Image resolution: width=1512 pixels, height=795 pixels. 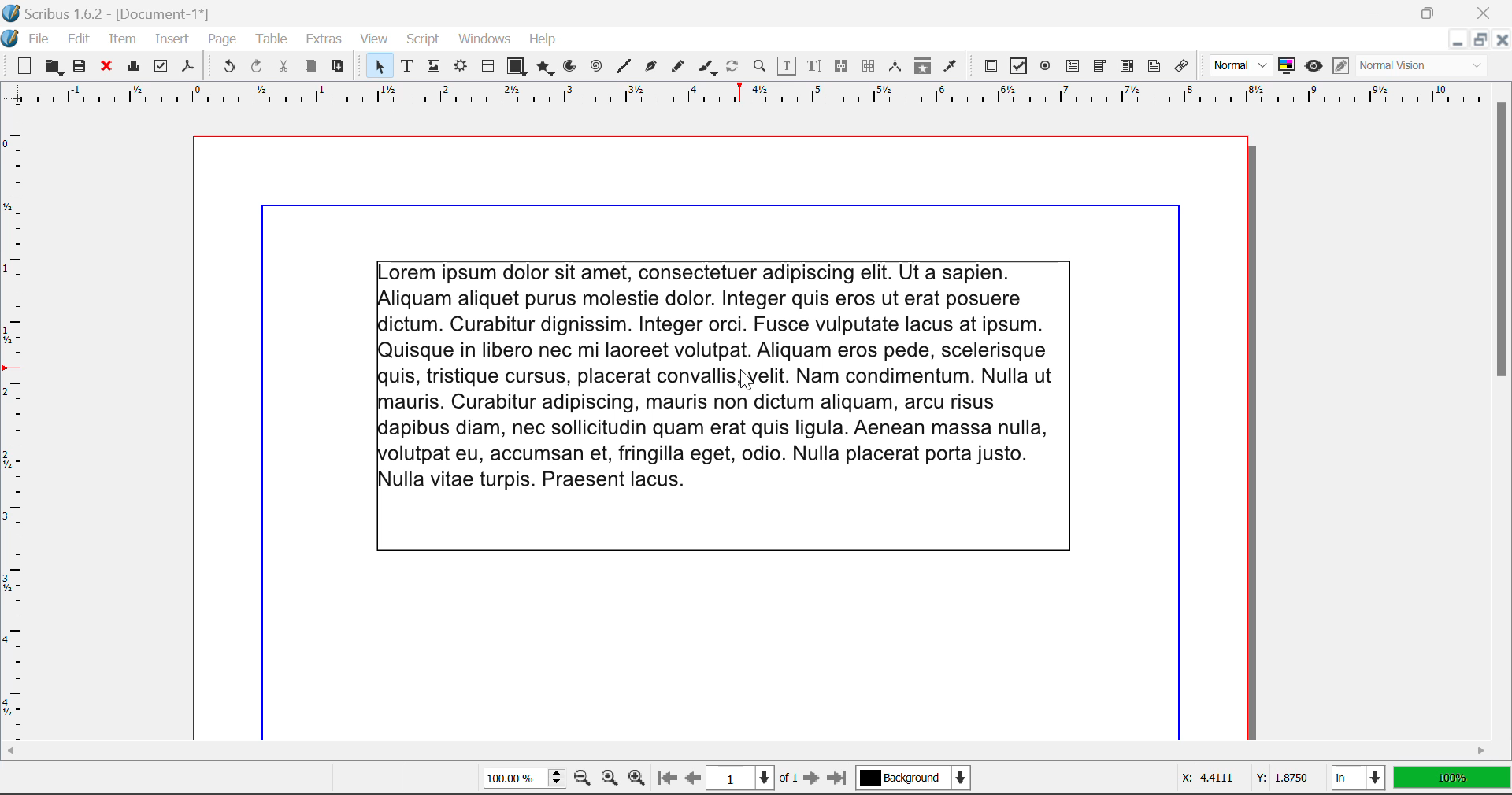 I want to click on Copy, so click(x=312, y=66).